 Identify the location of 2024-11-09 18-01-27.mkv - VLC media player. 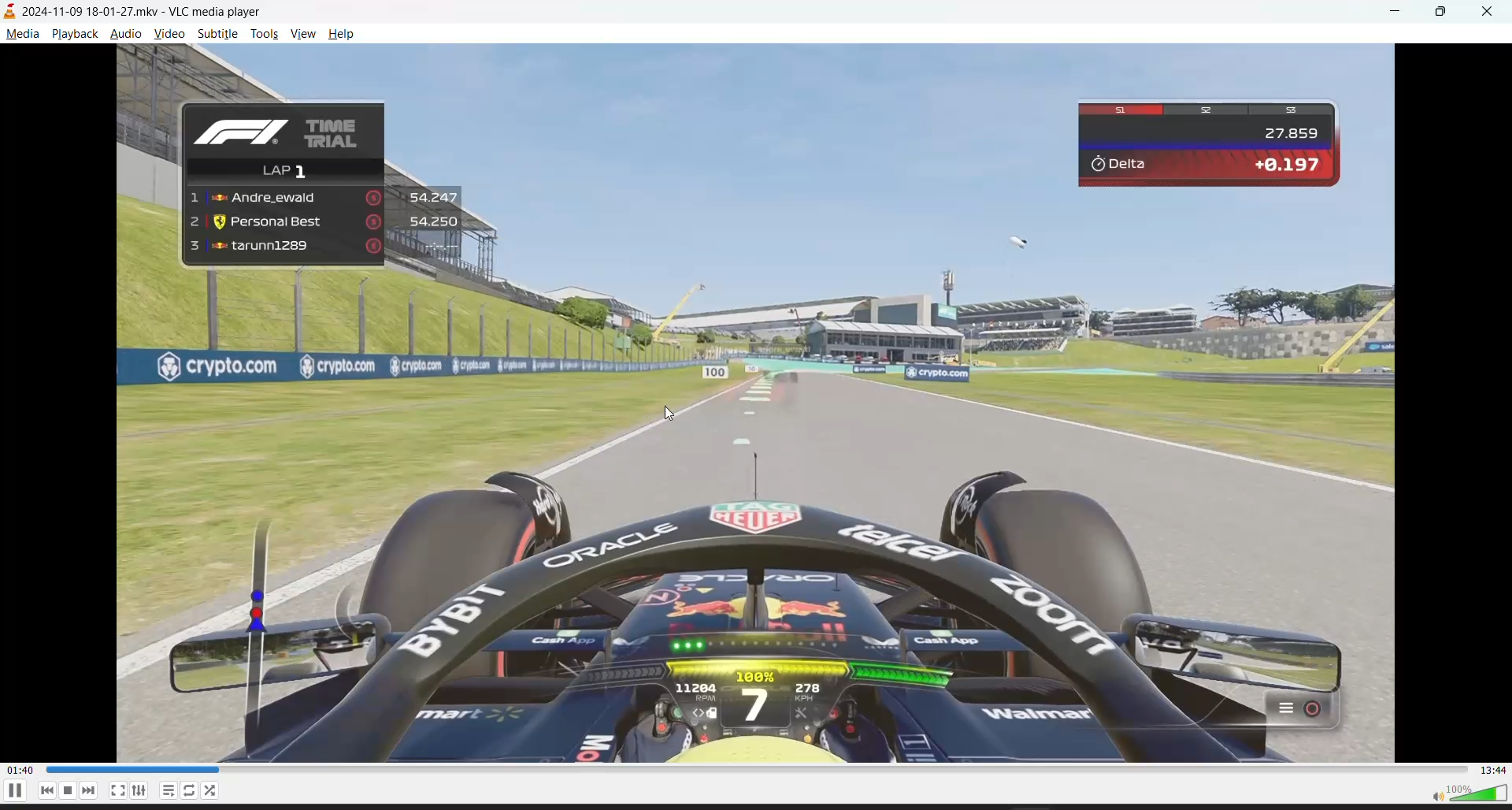
(139, 11).